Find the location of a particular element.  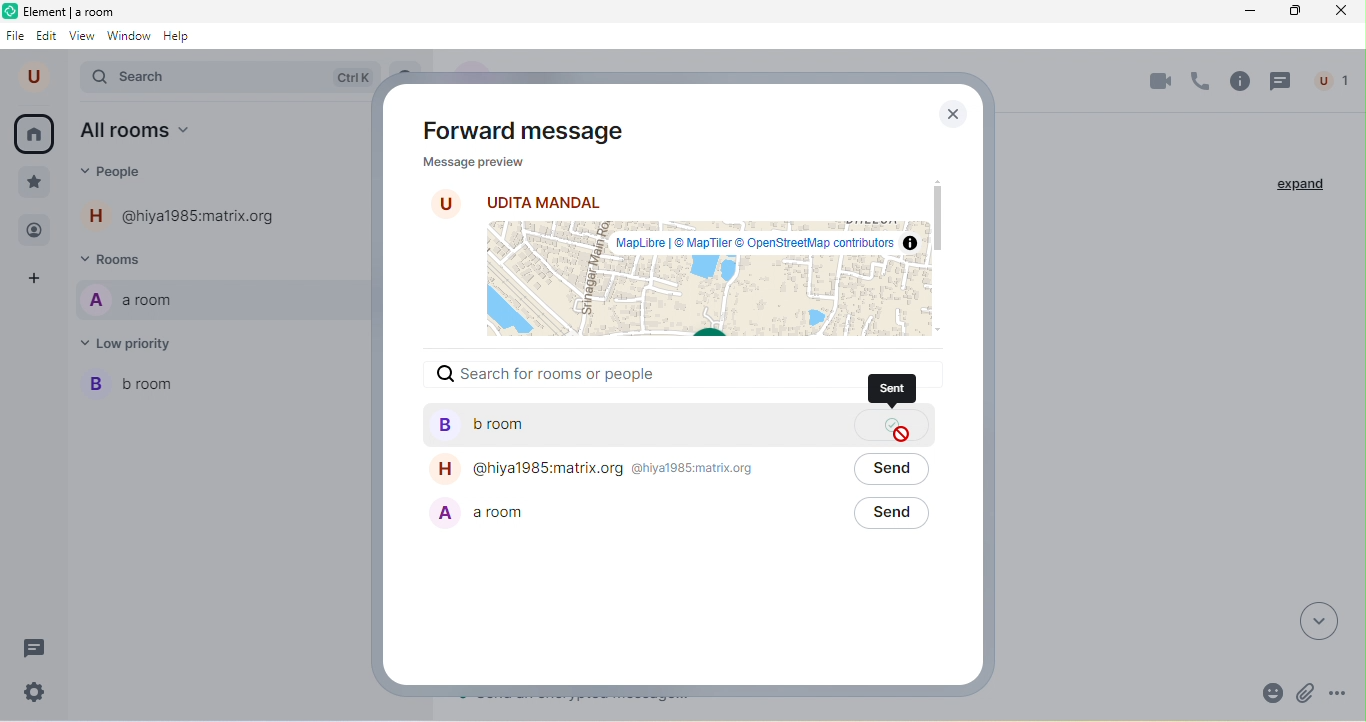

people is located at coordinates (125, 173).